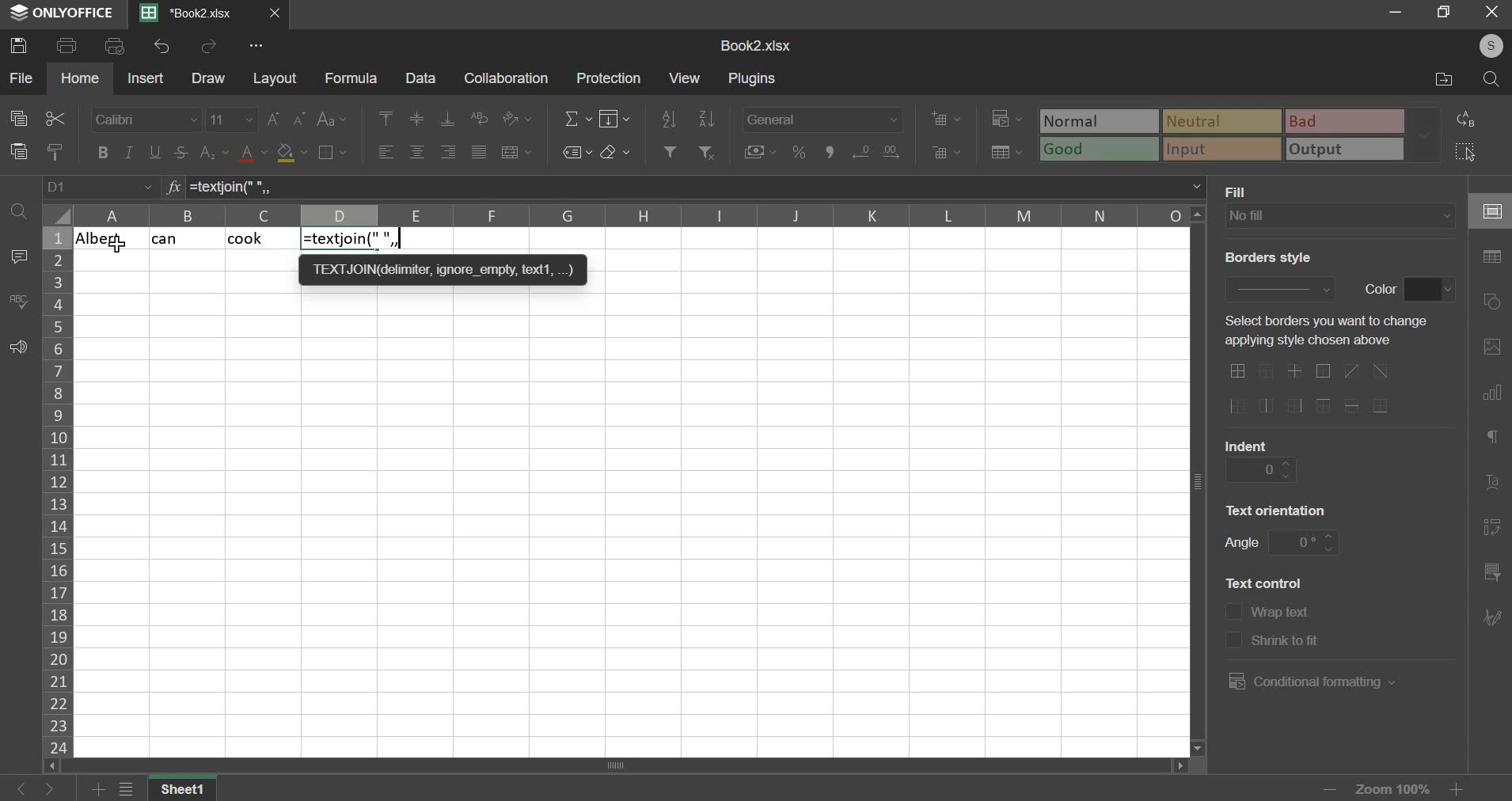  I want to click on clear, so click(615, 152).